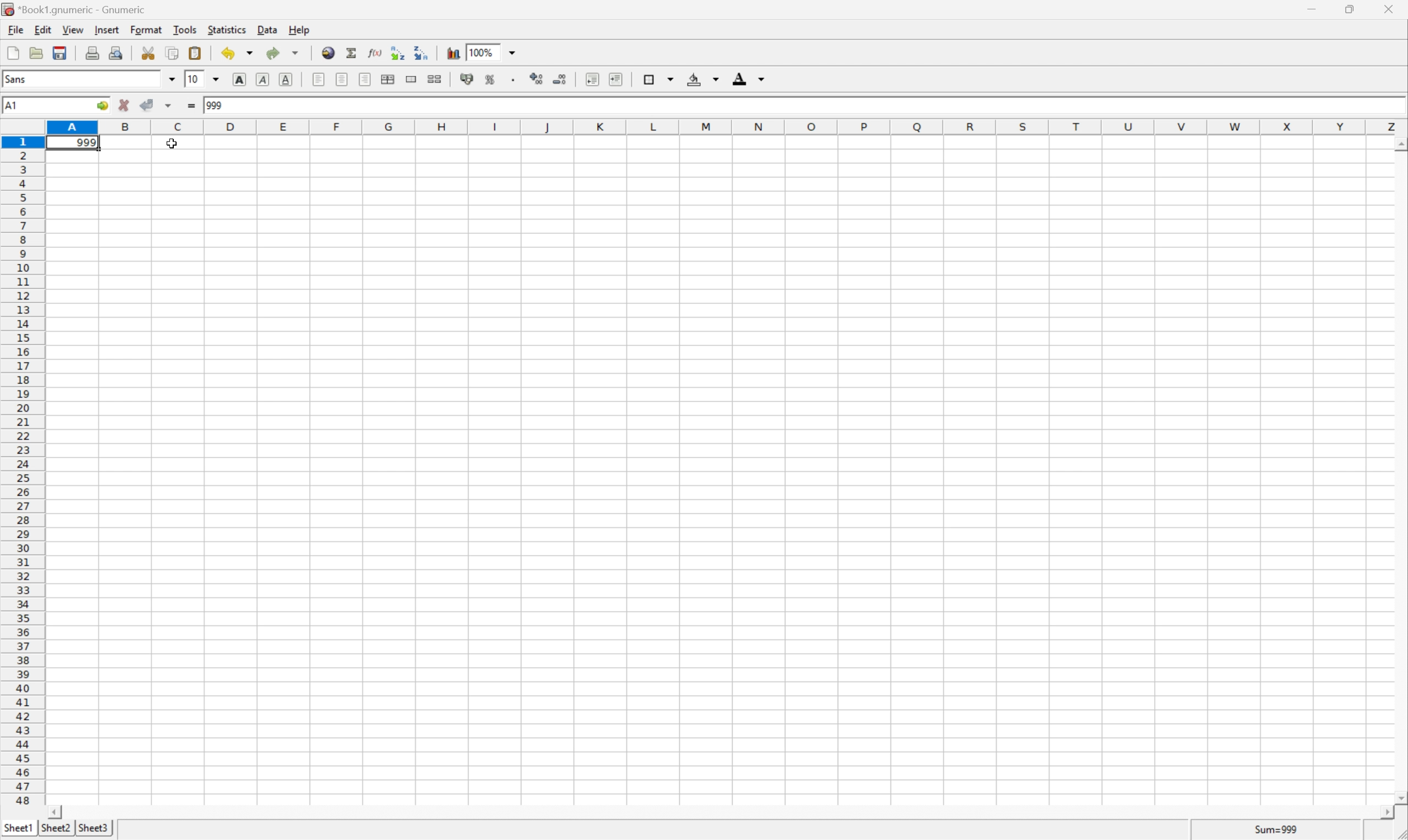 The width and height of the screenshot is (1408, 840). Describe the element at coordinates (411, 80) in the screenshot. I see `merge a range of cells` at that location.